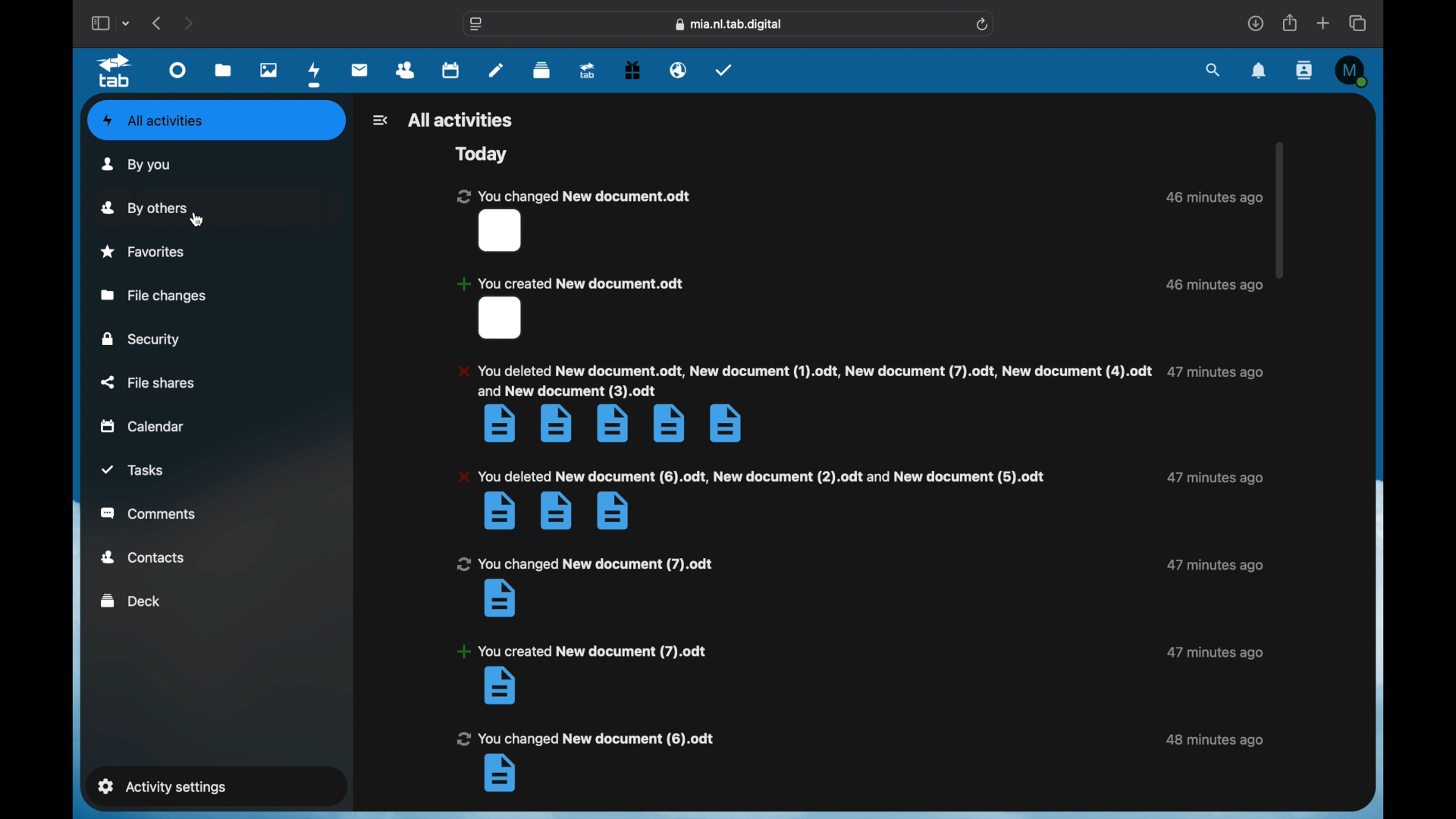  What do you see at coordinates (1213, 70) in the screenshot?
I see `search` at bounding box center [1213, 70].